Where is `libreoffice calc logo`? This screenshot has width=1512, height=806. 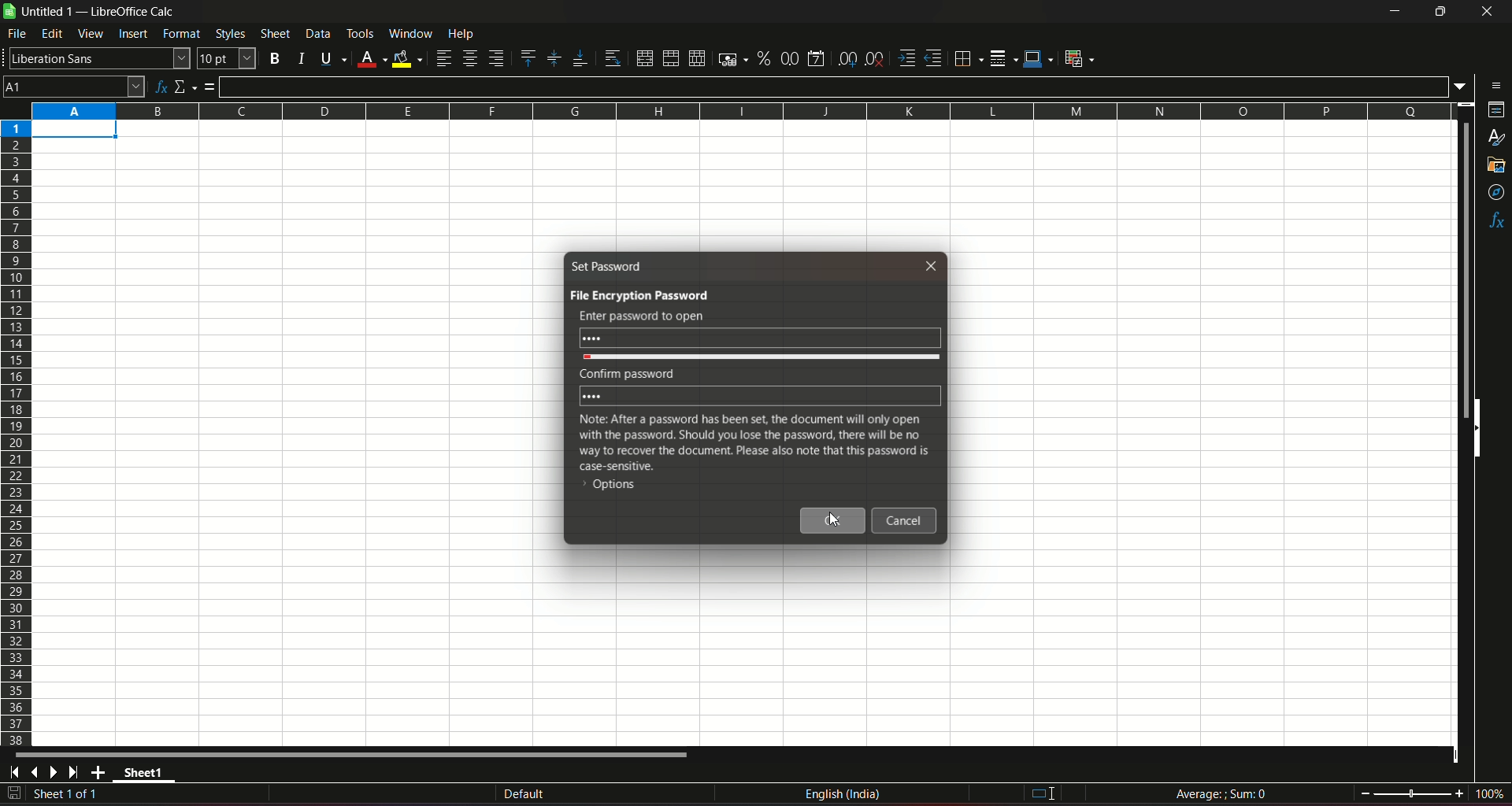 libreoffice calc logo is located at coordinates (9, 13).